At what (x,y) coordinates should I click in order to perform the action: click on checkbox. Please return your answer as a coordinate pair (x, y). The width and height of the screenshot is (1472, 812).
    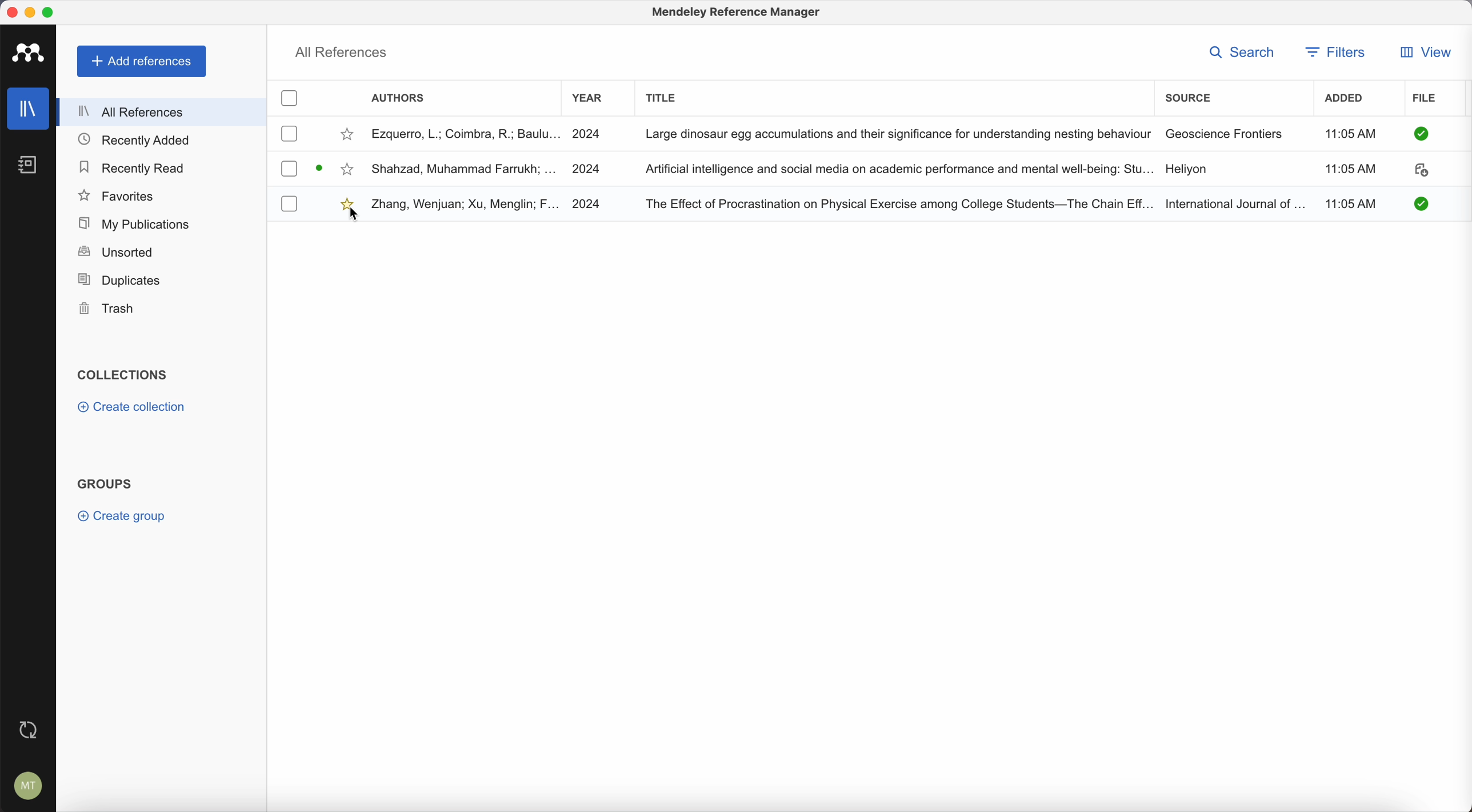
    Looking at the image, I should click on (289, 99).